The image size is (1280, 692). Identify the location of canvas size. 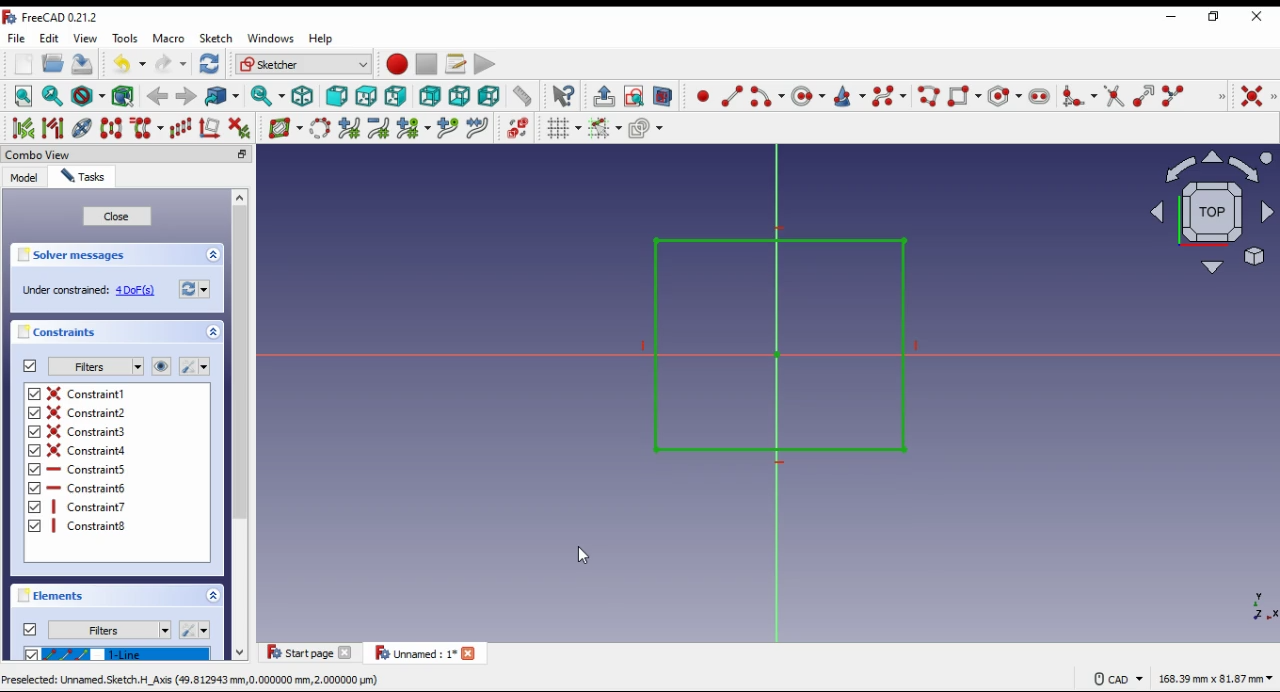
(1216, 677).